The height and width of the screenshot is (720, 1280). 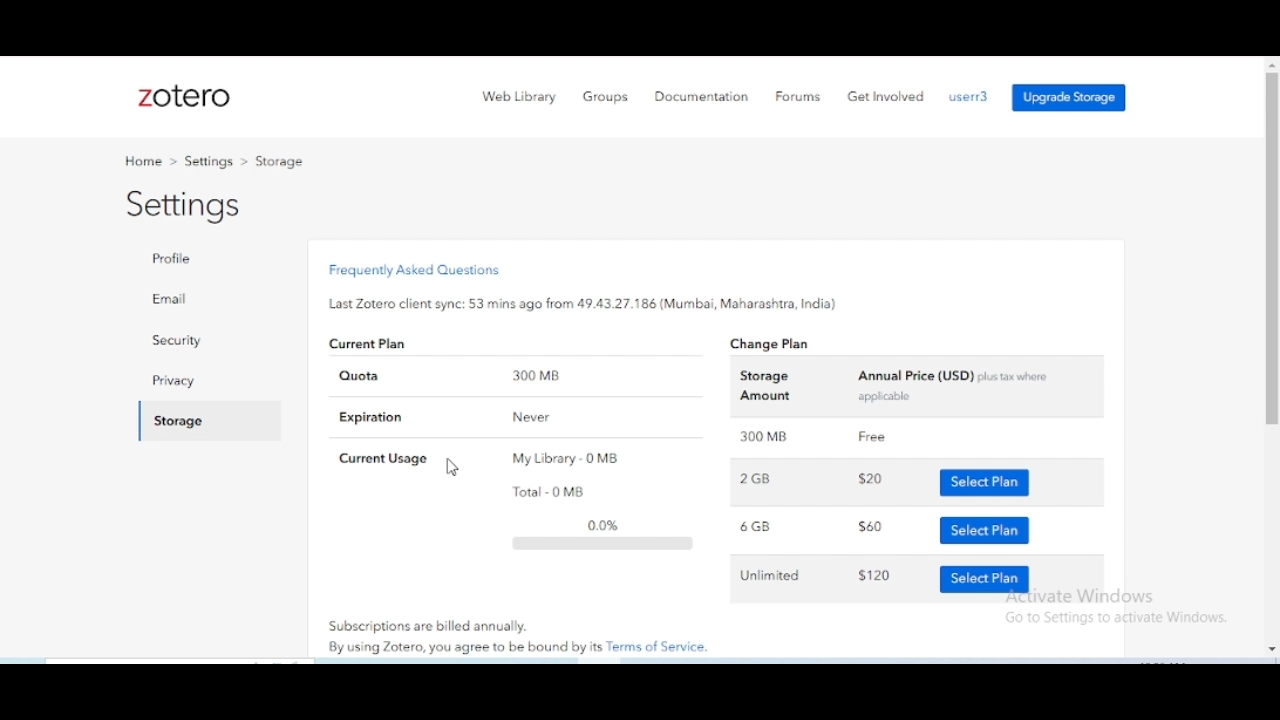 What do you see at coordinates (570, 459) in the screenshot?
I see `my library - 0 MB` at bounding box center [570, 459].